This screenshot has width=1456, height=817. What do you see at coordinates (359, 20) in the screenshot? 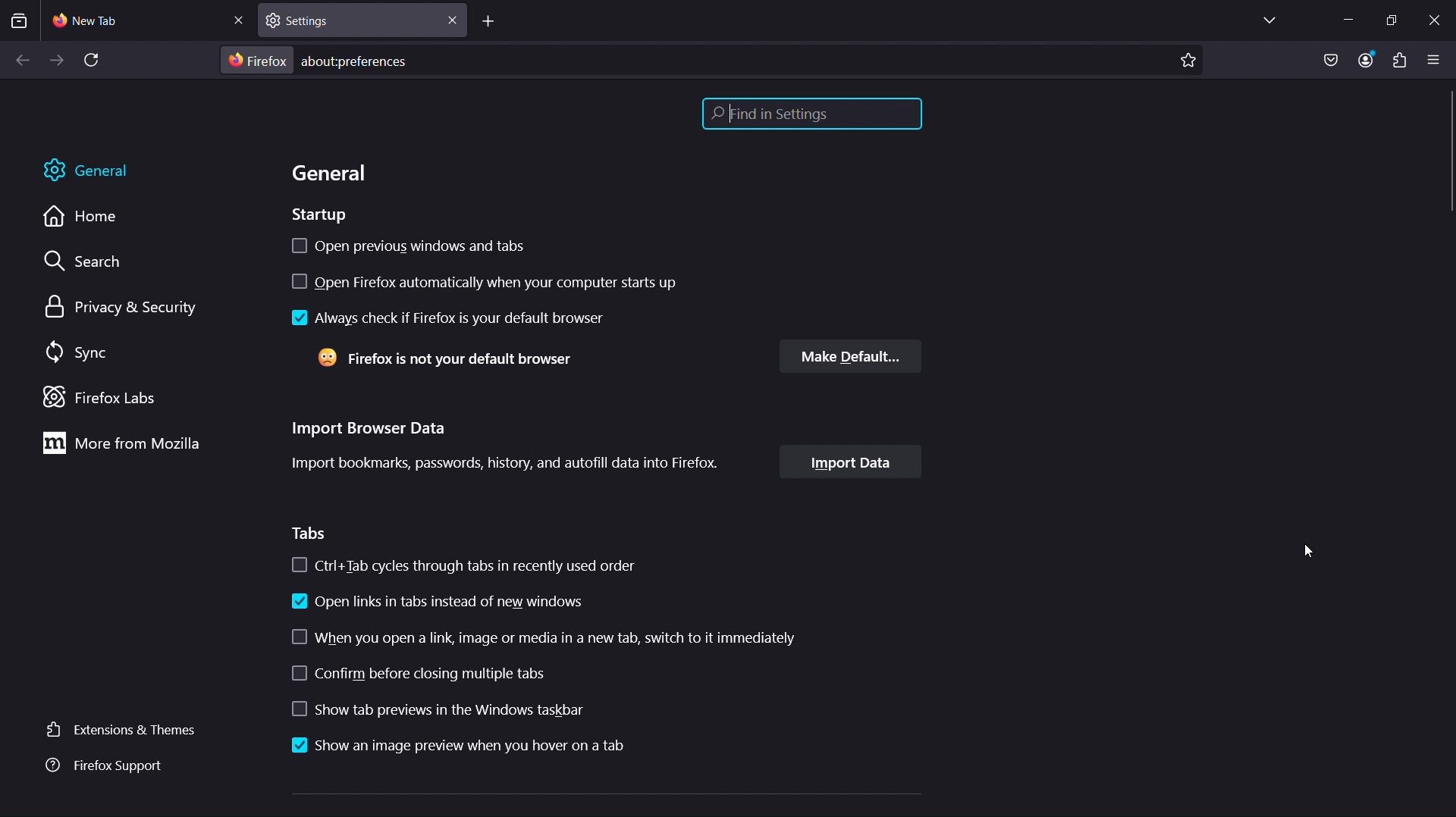
I see `Settings tab` at bounding box center [359, 20].